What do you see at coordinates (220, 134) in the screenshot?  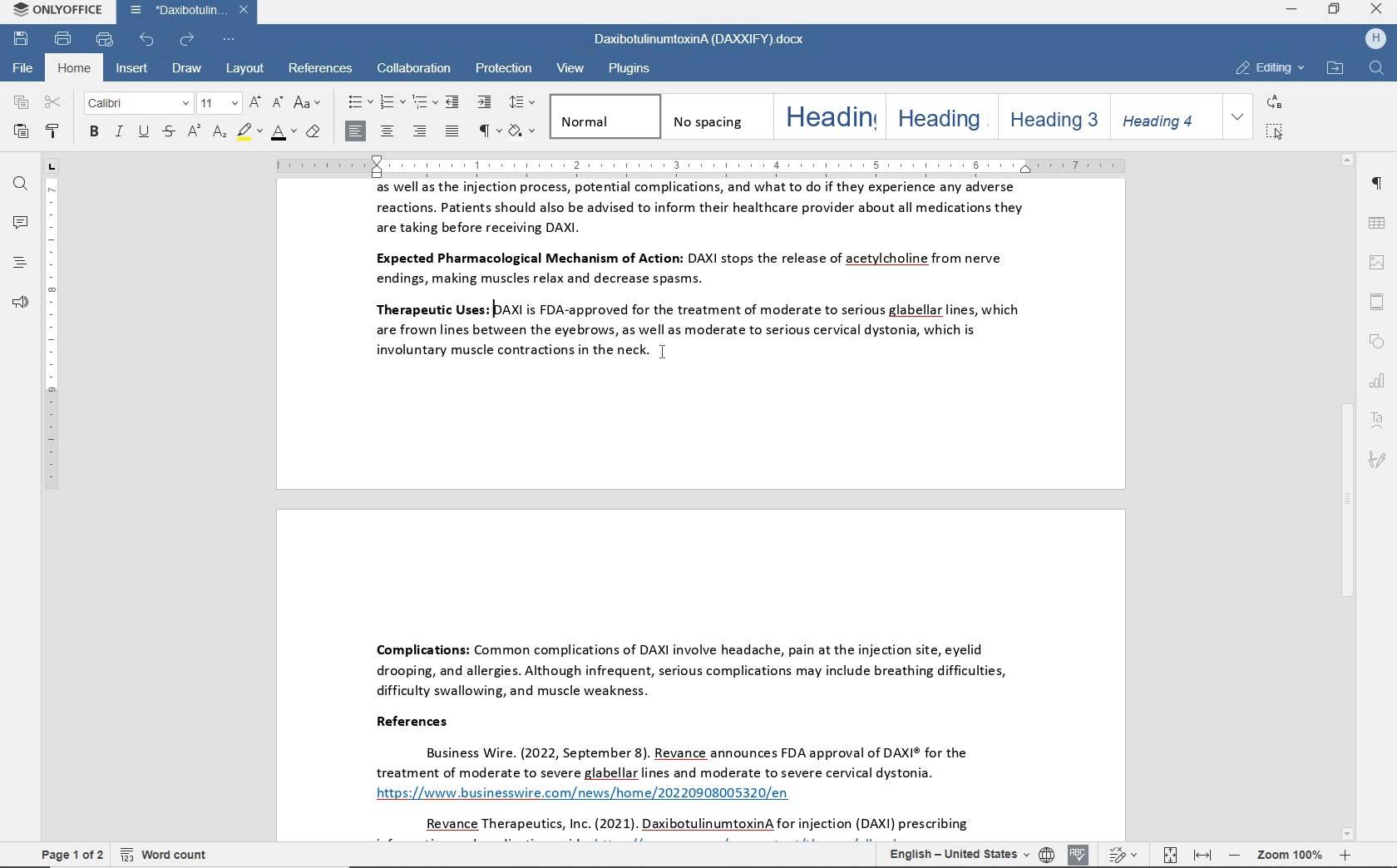 I see `subscript` at bounding box center [220, 134].